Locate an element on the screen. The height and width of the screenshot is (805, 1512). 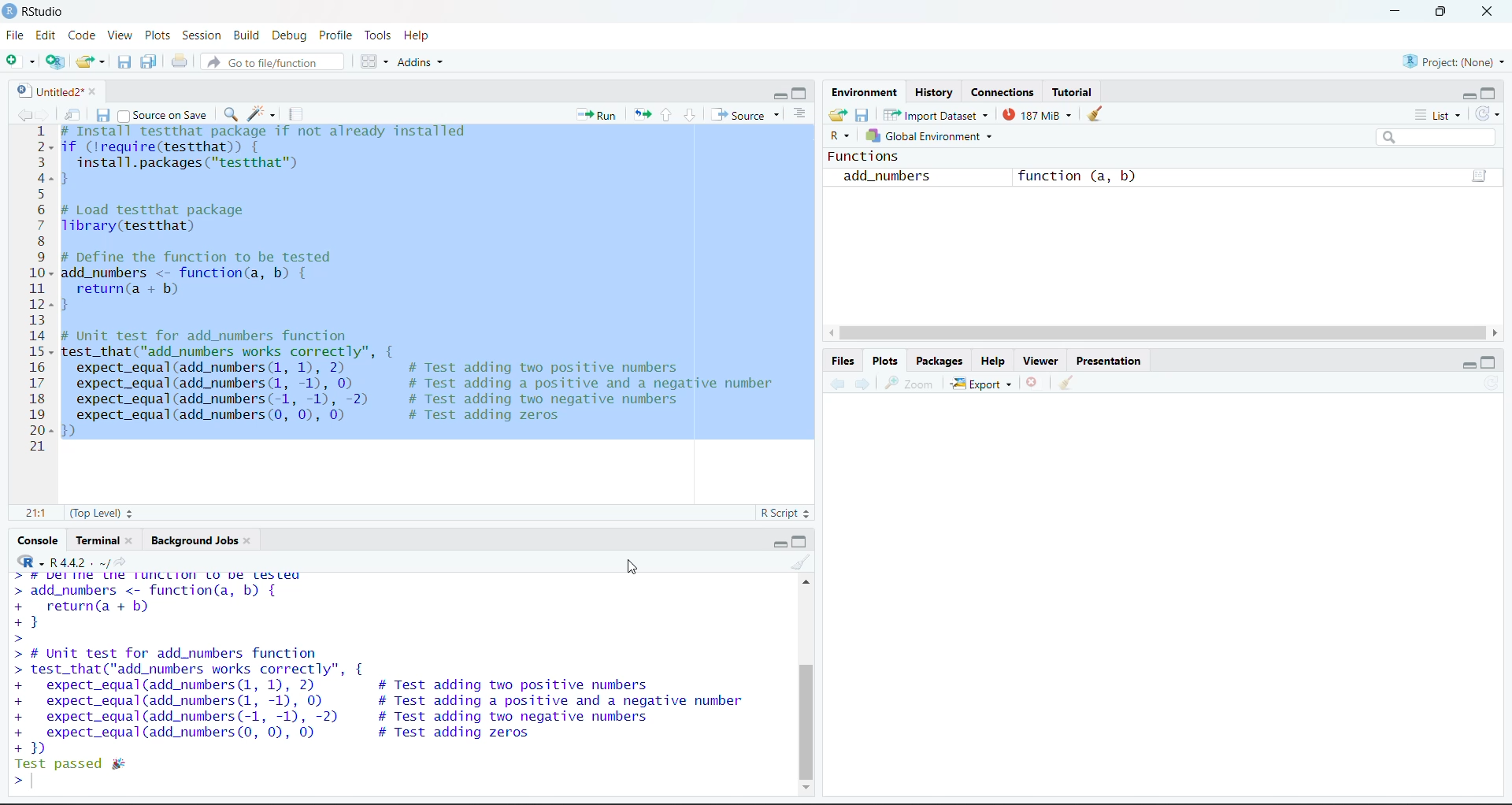
close is located at coordinates (94, 91).